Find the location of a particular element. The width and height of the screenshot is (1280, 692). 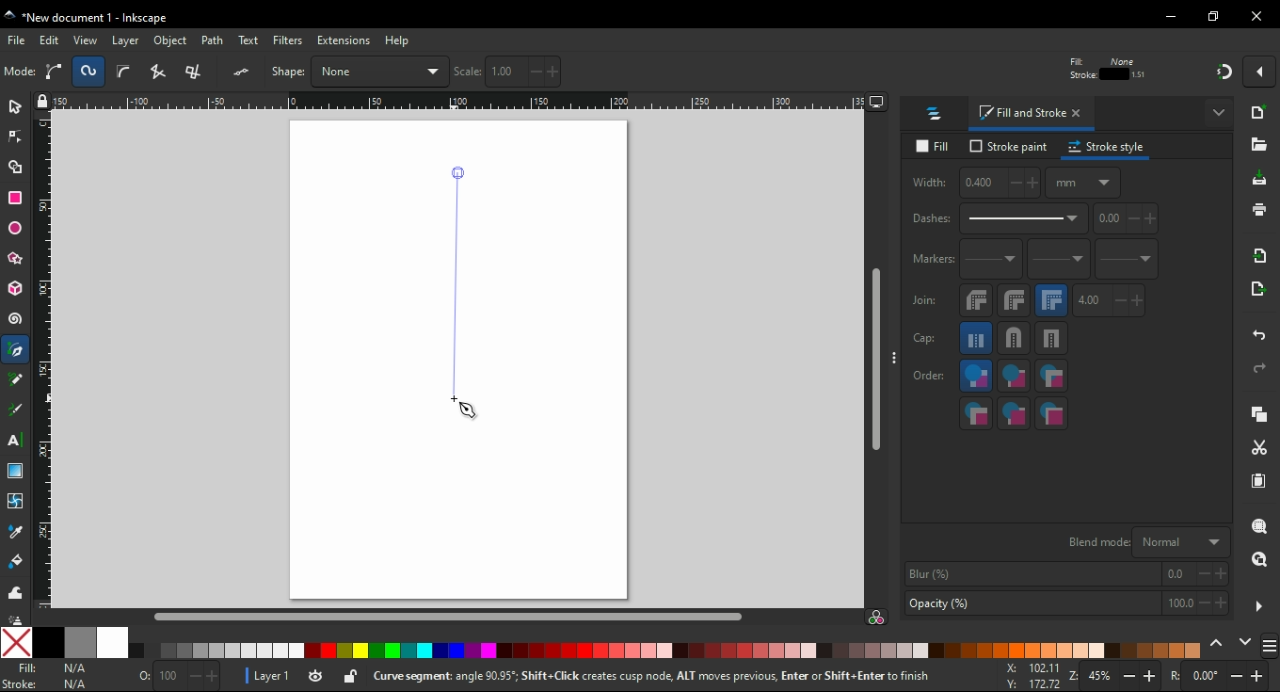

lower to bottom is located at coordinates (430, 72).